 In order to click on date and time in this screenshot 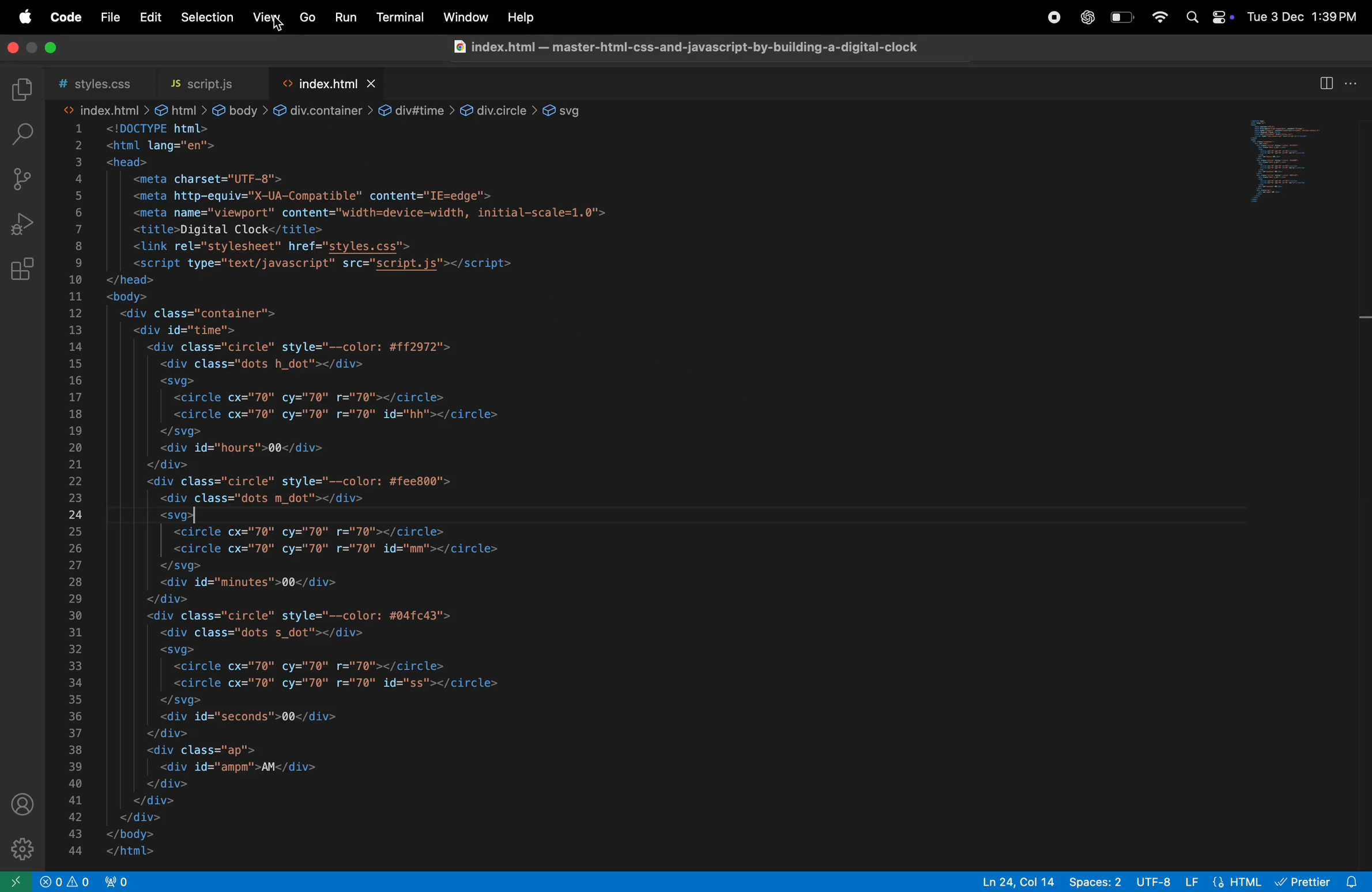, I will do `click(1305, 17)`.